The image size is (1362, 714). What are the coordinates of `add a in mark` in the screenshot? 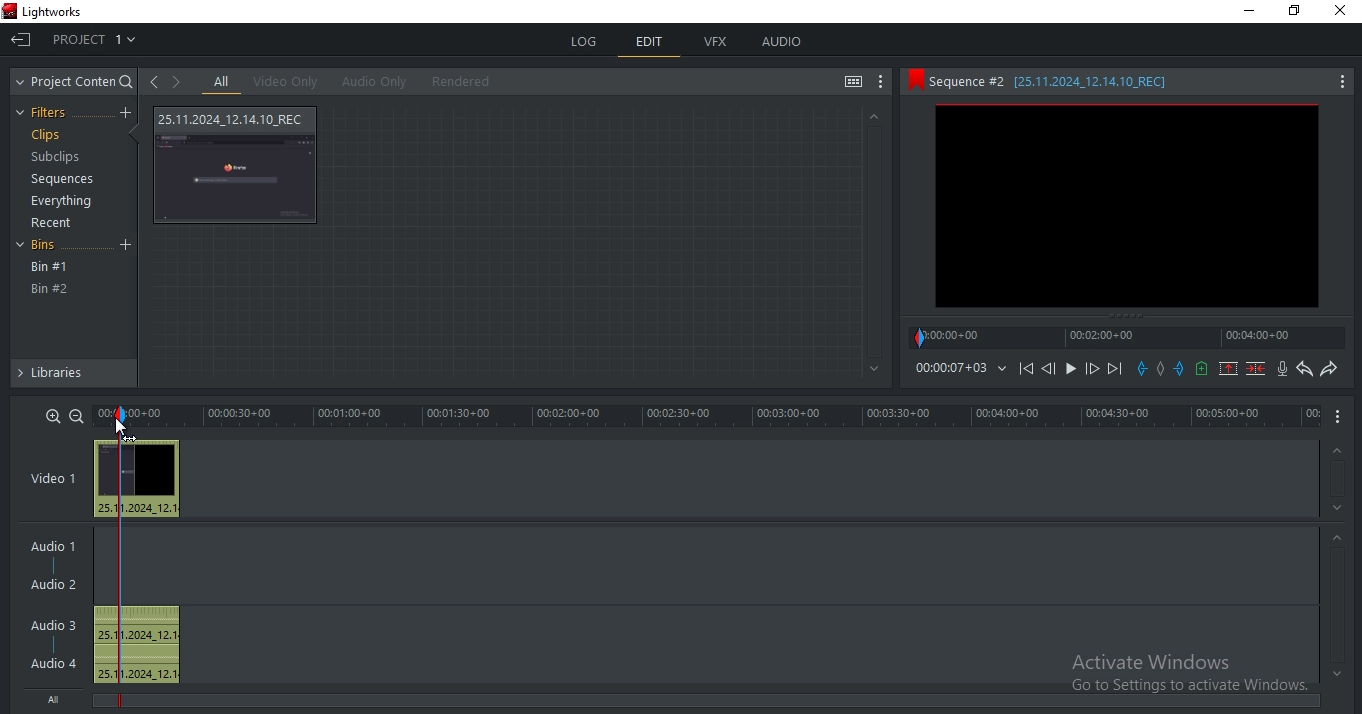 It's located at (1143, 369).